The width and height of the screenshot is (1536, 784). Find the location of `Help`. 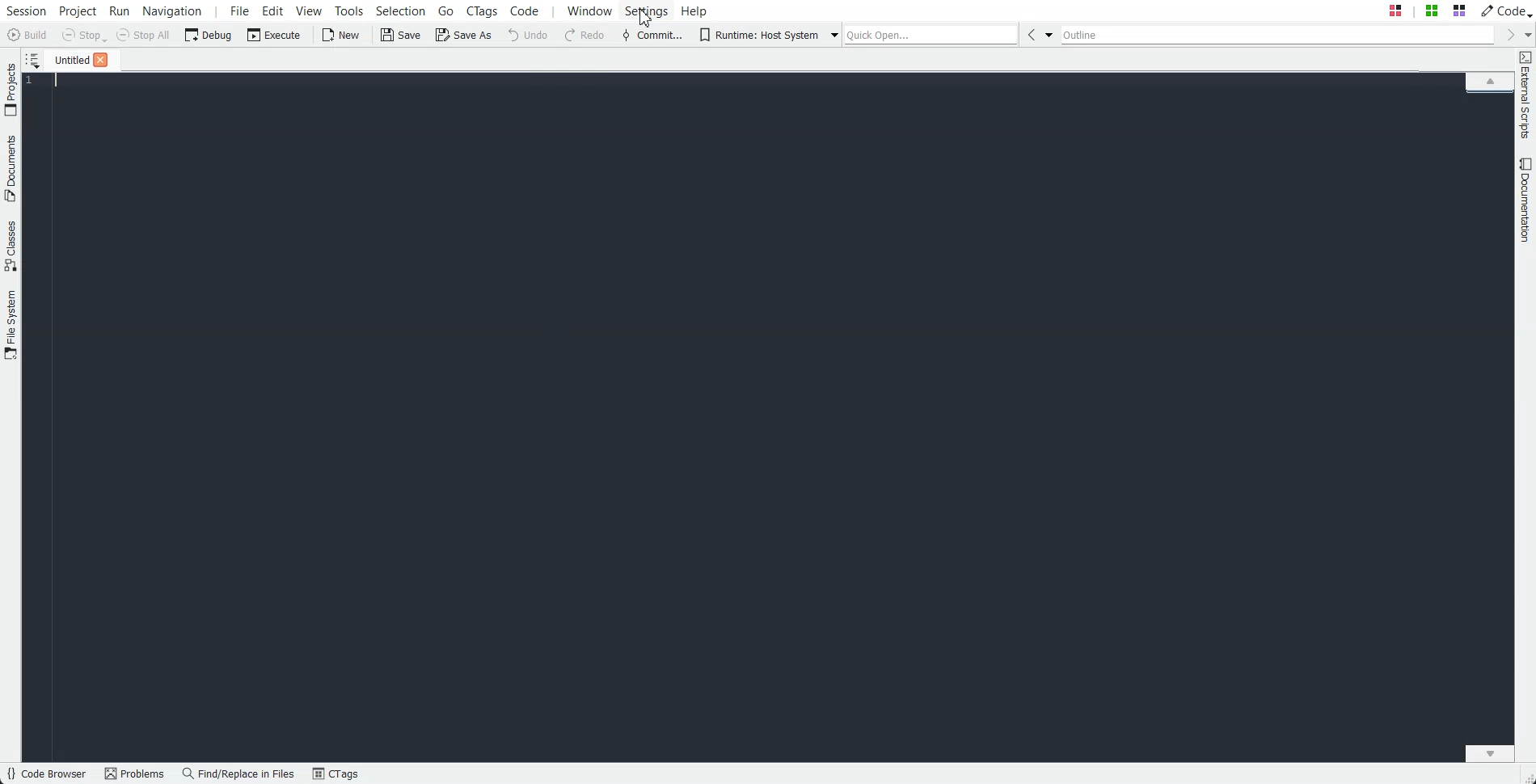

Help is located at coordinates (694, 10).